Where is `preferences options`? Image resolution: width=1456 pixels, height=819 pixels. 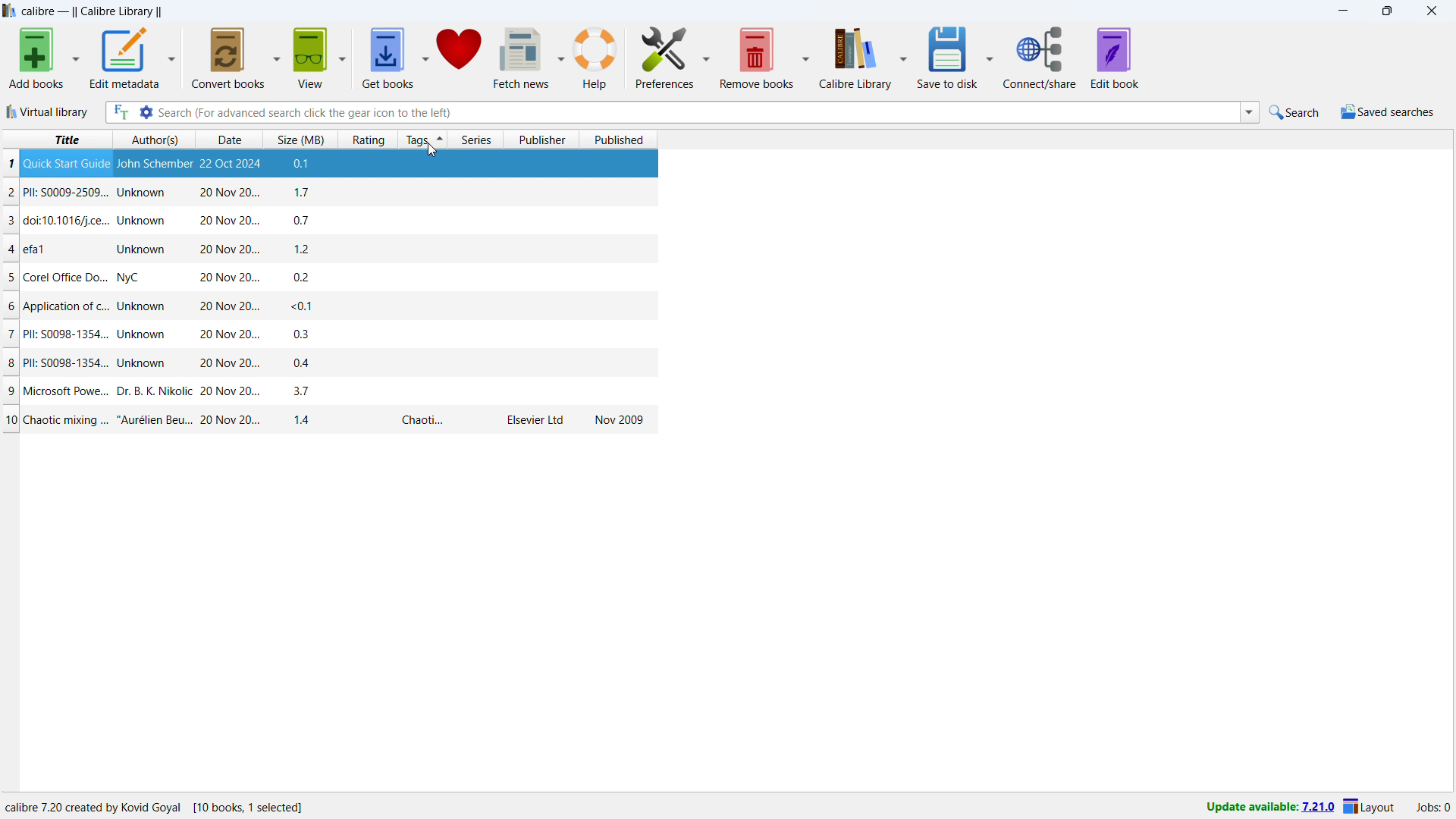 preferences options is located at coordinates (705, 55).